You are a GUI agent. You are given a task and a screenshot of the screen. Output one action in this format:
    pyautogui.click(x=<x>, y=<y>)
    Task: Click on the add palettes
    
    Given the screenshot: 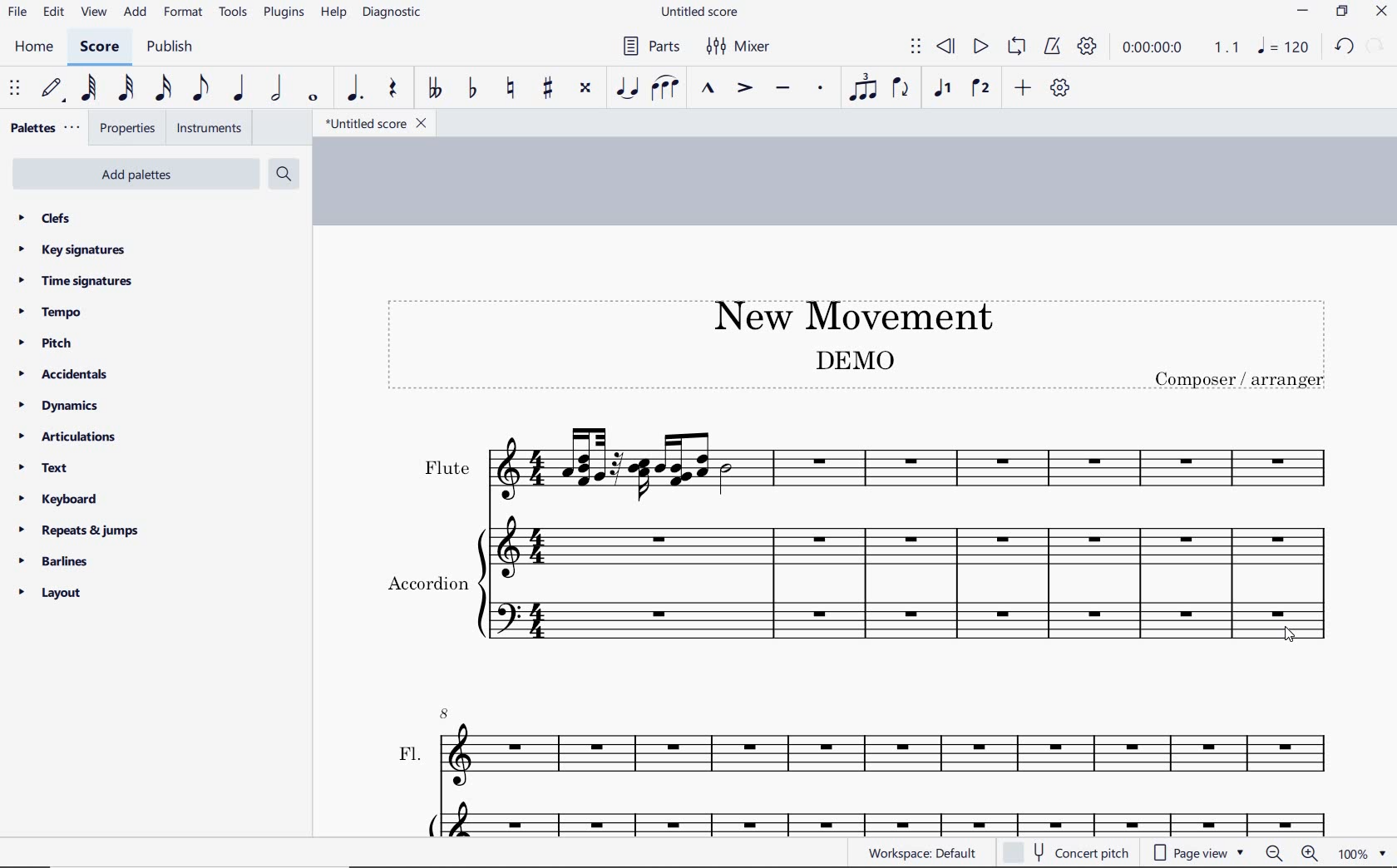 What is the action you would take?
    pyautogui.click(x=138, y=177)
    